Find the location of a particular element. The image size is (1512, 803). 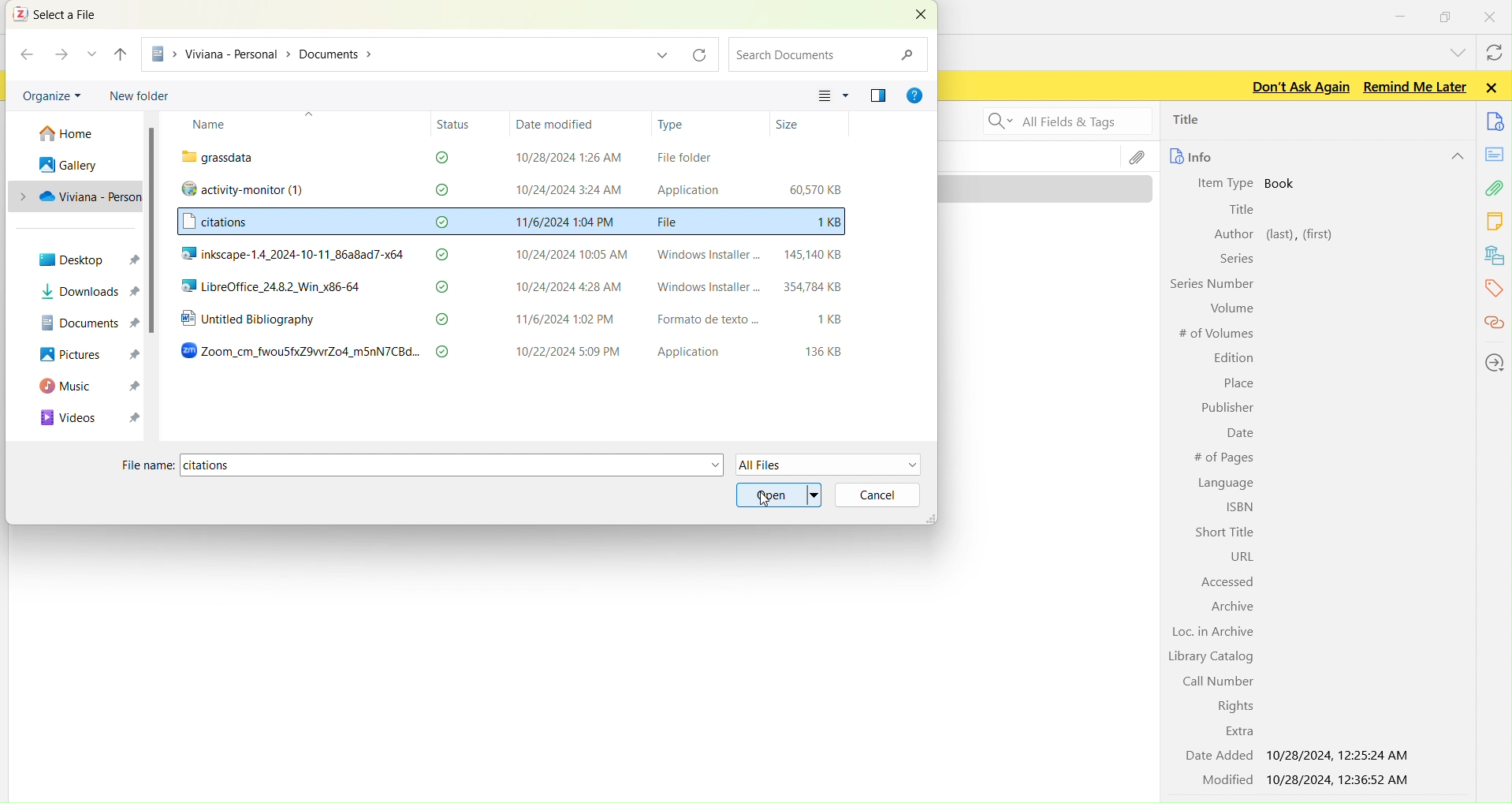

Rights is located at coordinates (1236, 706).